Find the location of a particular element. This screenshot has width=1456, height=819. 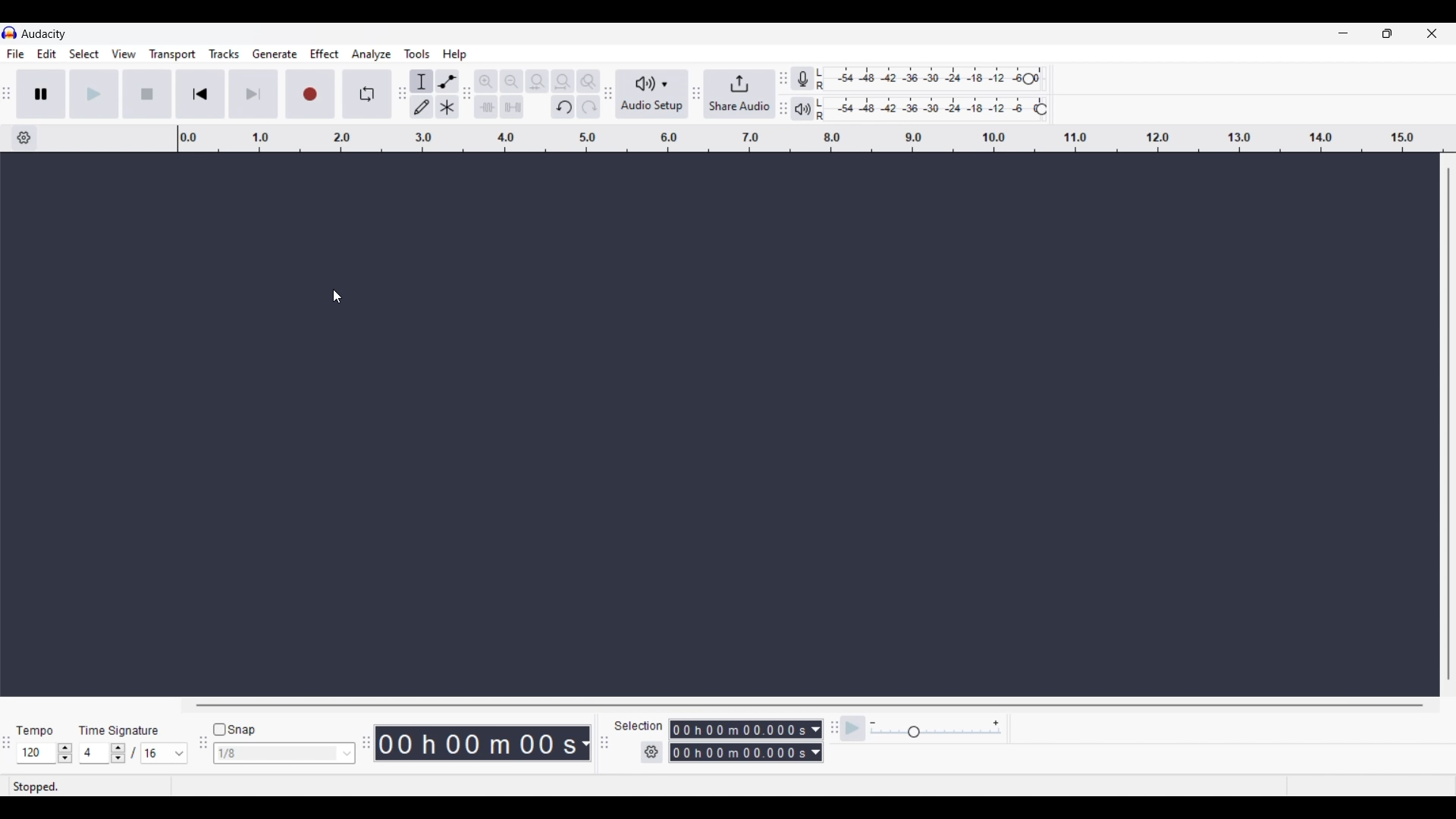

Playback meter is located at coordinates (810, 109).